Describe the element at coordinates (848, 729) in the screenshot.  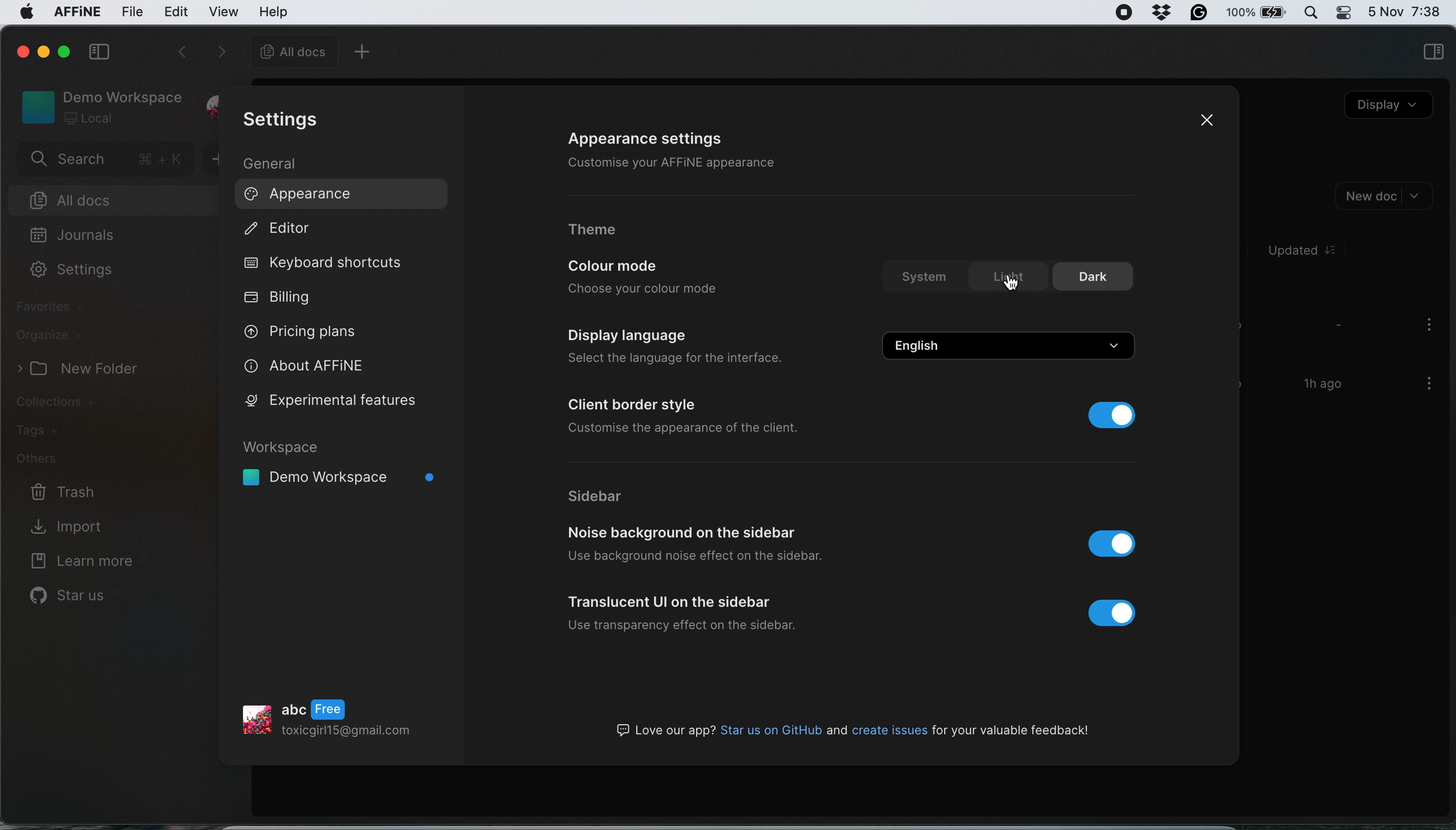
I see `G3 Love our app? Star us on GitHub and create issues for your valuable feedback!` at that location.